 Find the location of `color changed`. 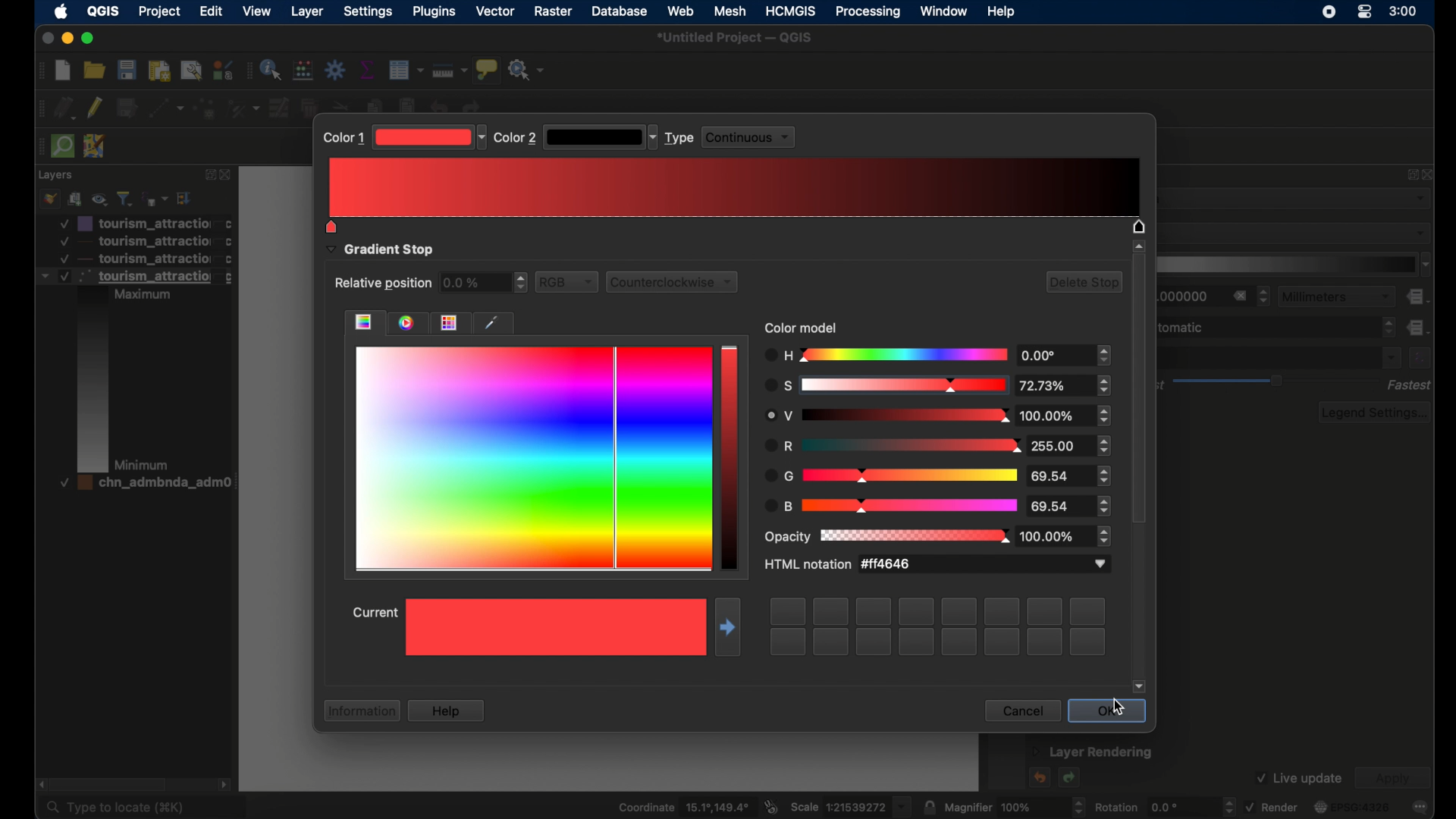

color changed is located at coordinates (908, 475).